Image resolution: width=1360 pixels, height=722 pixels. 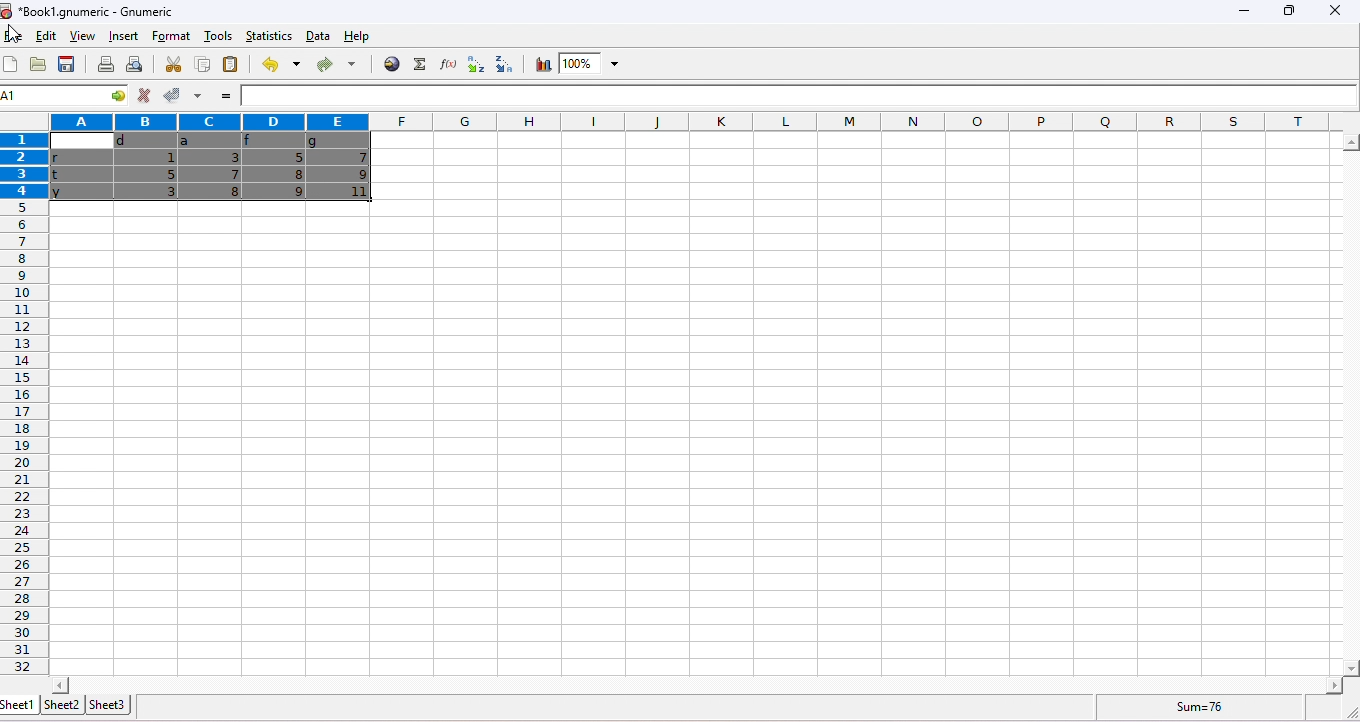 I want to click on print preview, so click(x=133, y=65).